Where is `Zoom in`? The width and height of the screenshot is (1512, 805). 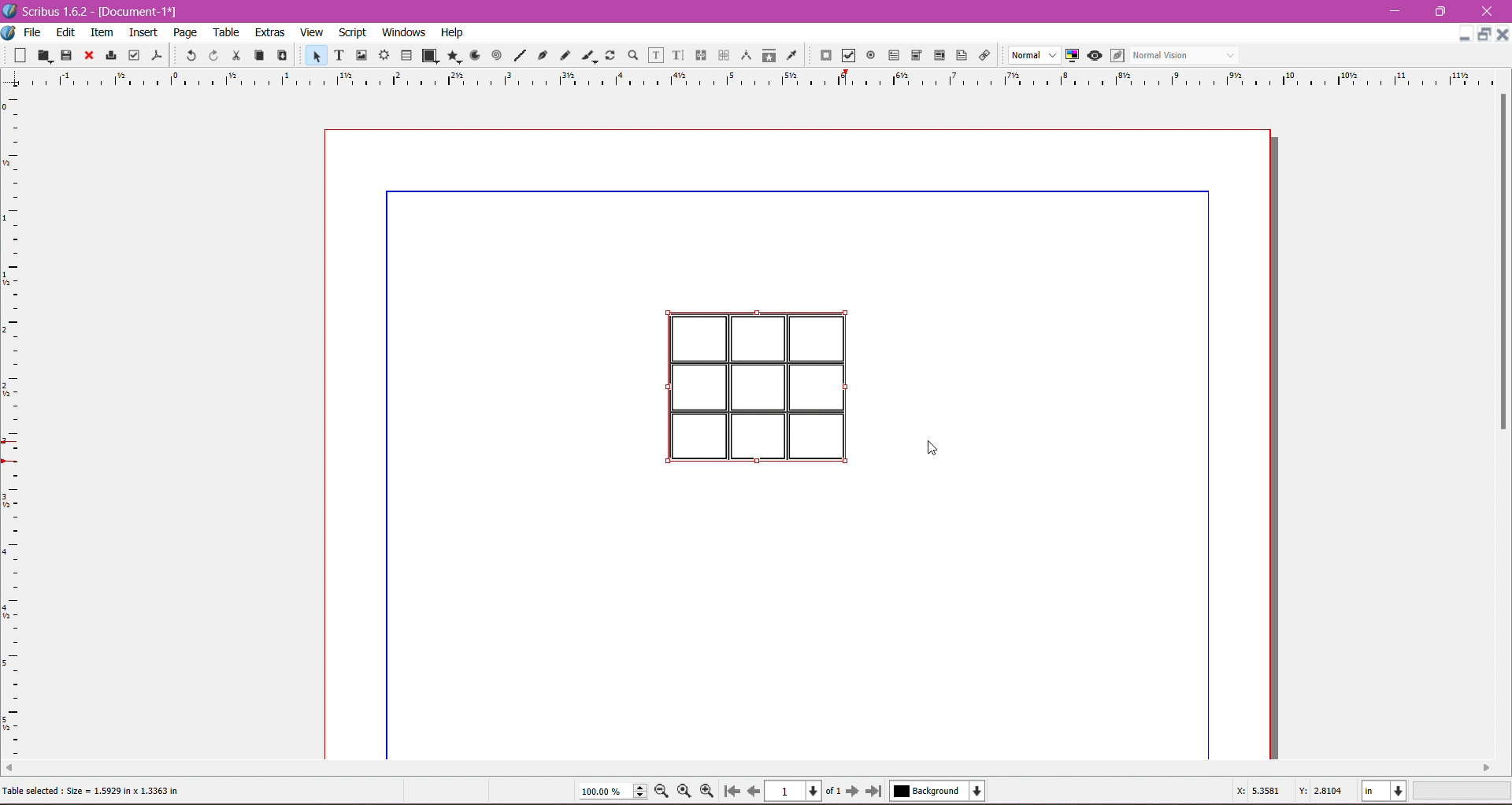 Zoom in is located at coordinates (708, 791).